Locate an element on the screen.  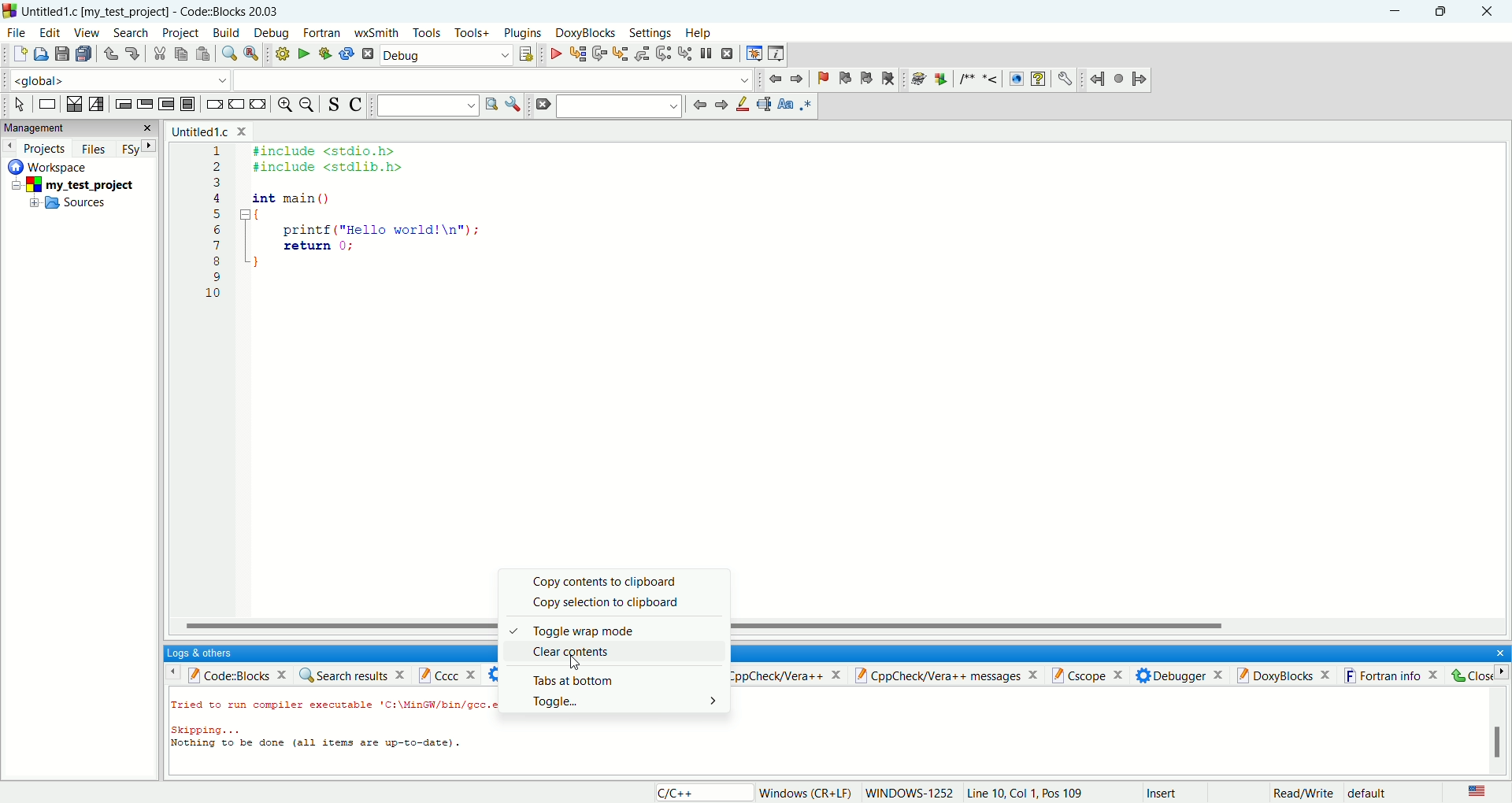
horizontal scroll bar is located at coordinates (1123, 627).